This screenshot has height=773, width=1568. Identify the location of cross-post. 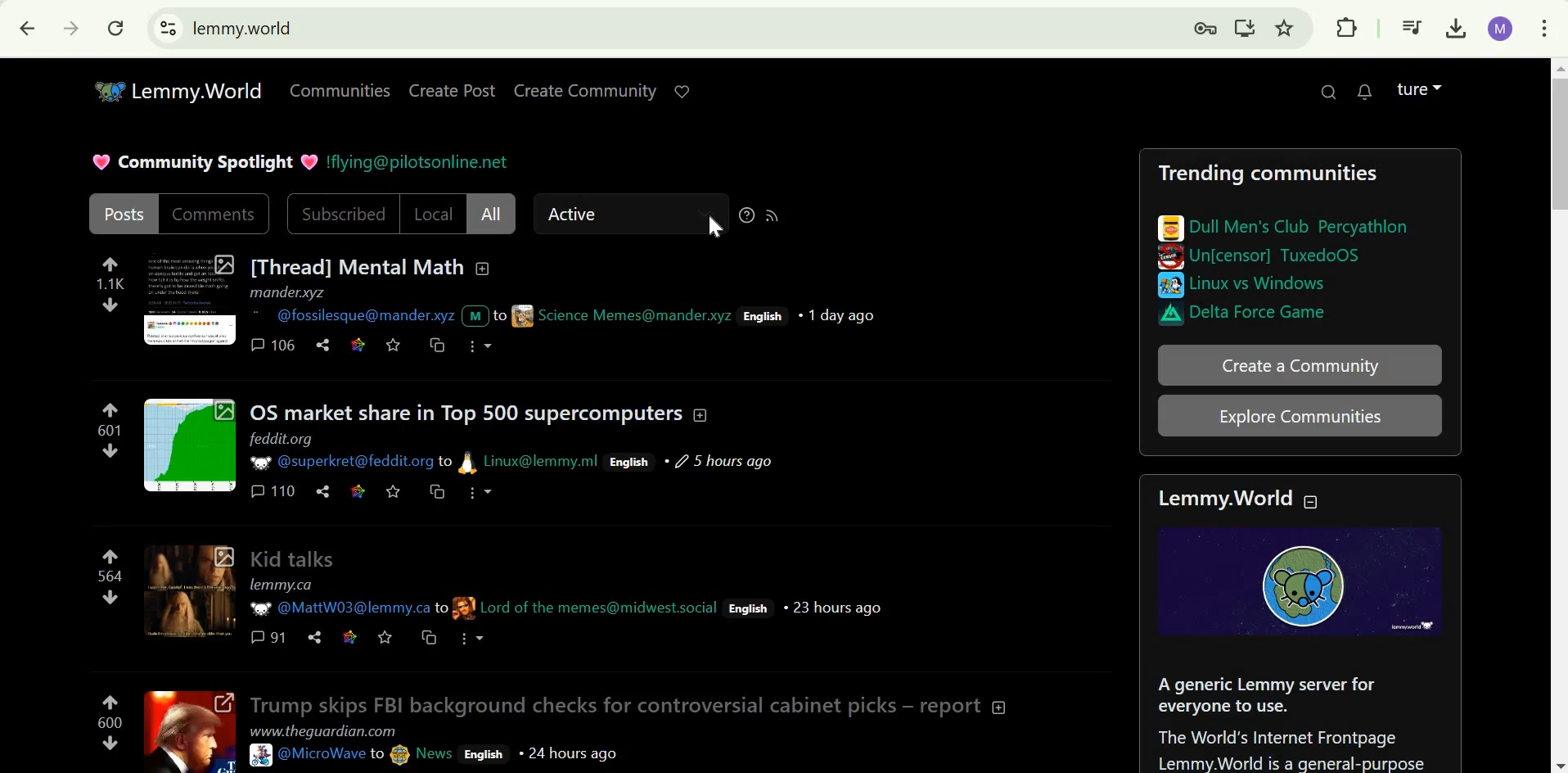
(430, 639).